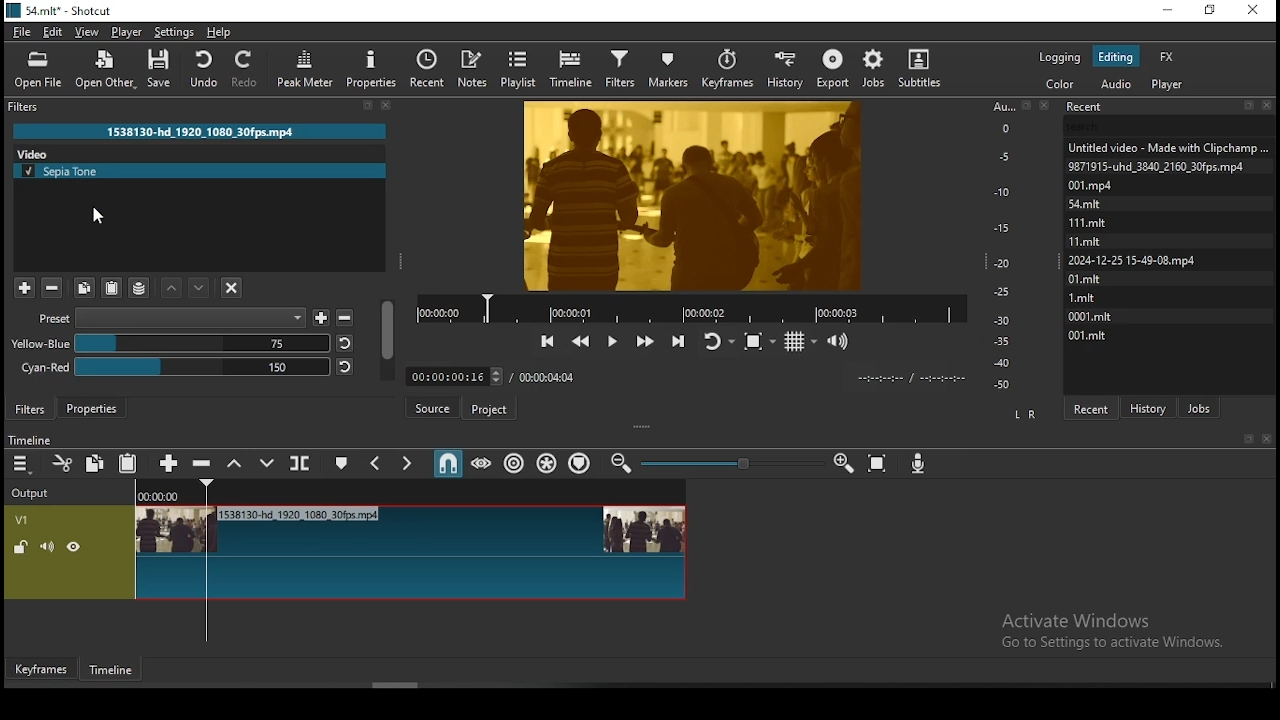  What do you see at coordinates (1087, 204) in the screenshot?
I see `54.mit` at bounding box center [1087, 204].